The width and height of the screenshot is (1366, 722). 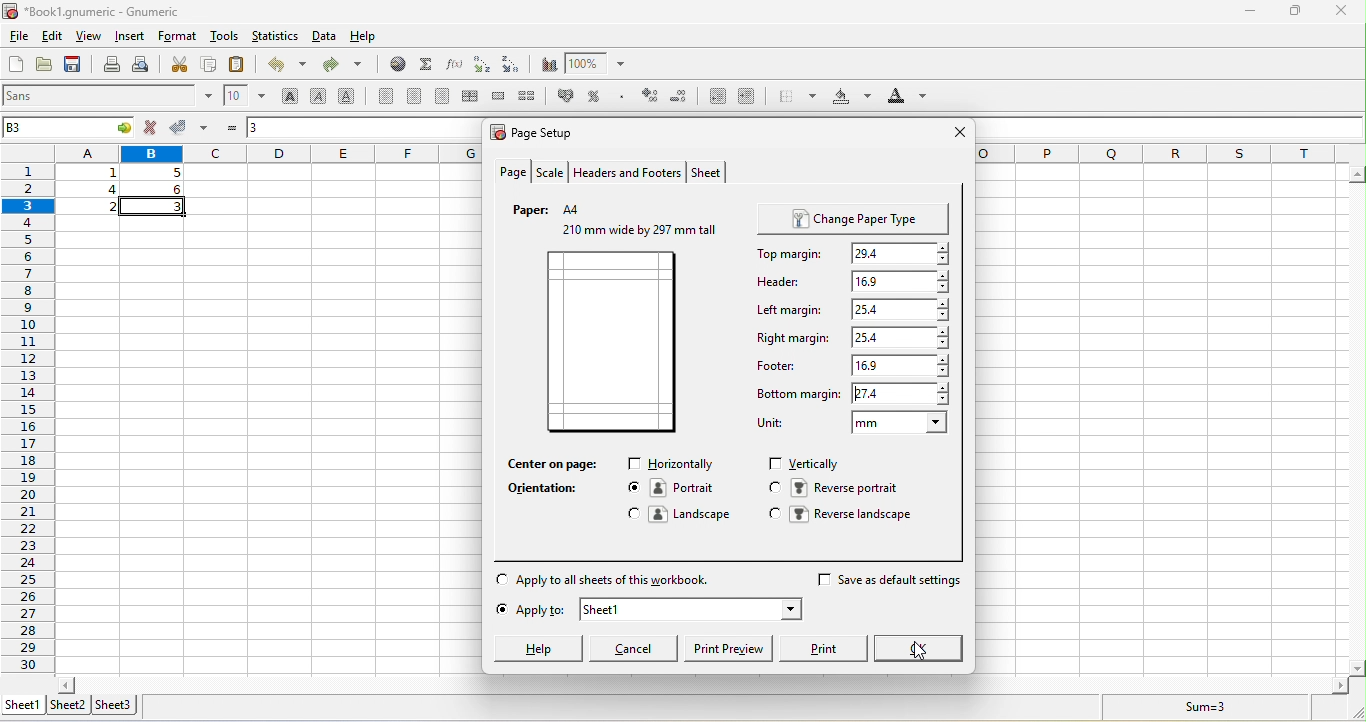 What do you see at coordinates (827, 648) in the screenshot?
I see `print` at bounding box center [827, 648].